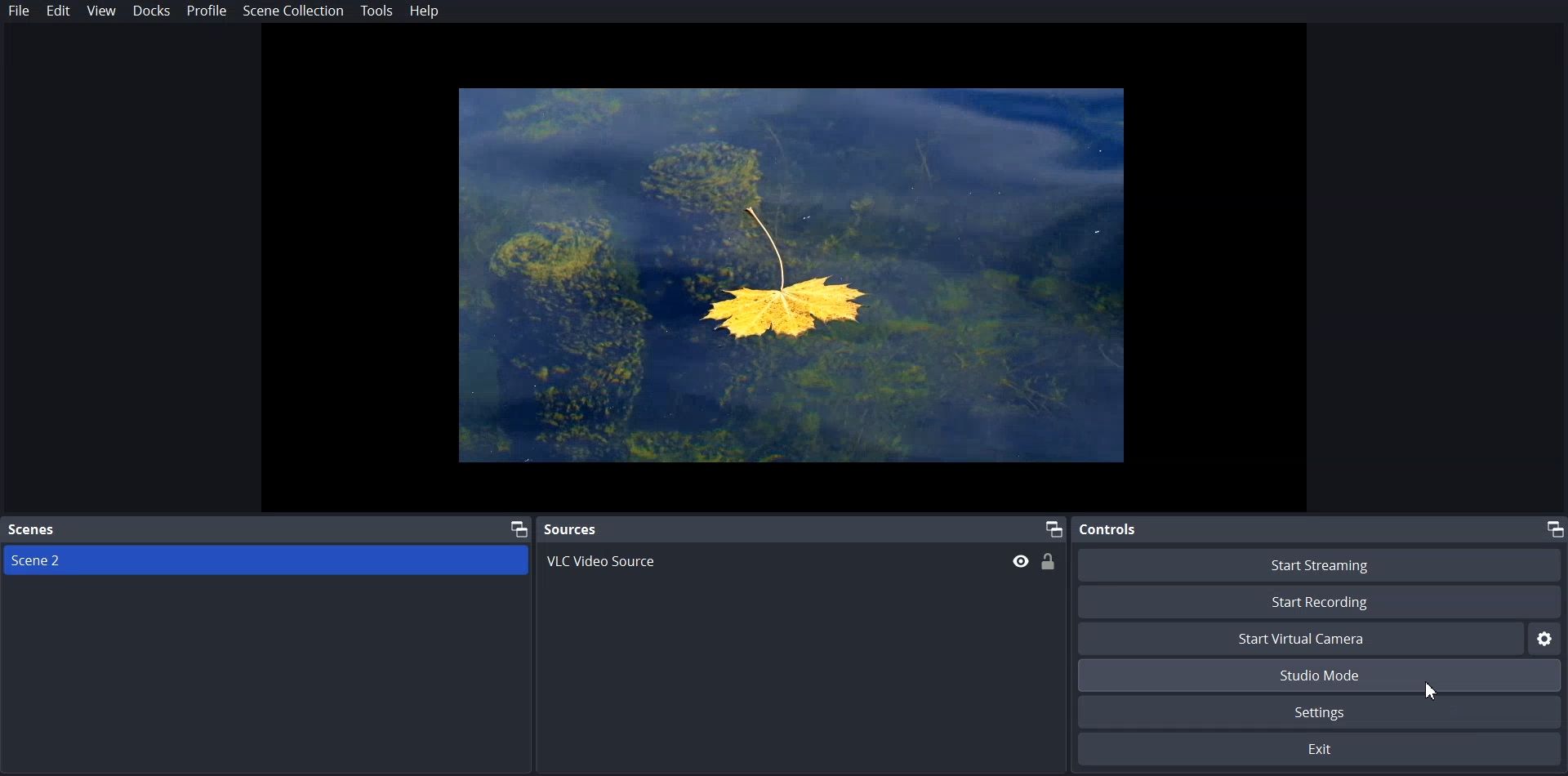  Describe the element at coordinates (33, 529) in the screenshot. I see `Scenes` at that location.